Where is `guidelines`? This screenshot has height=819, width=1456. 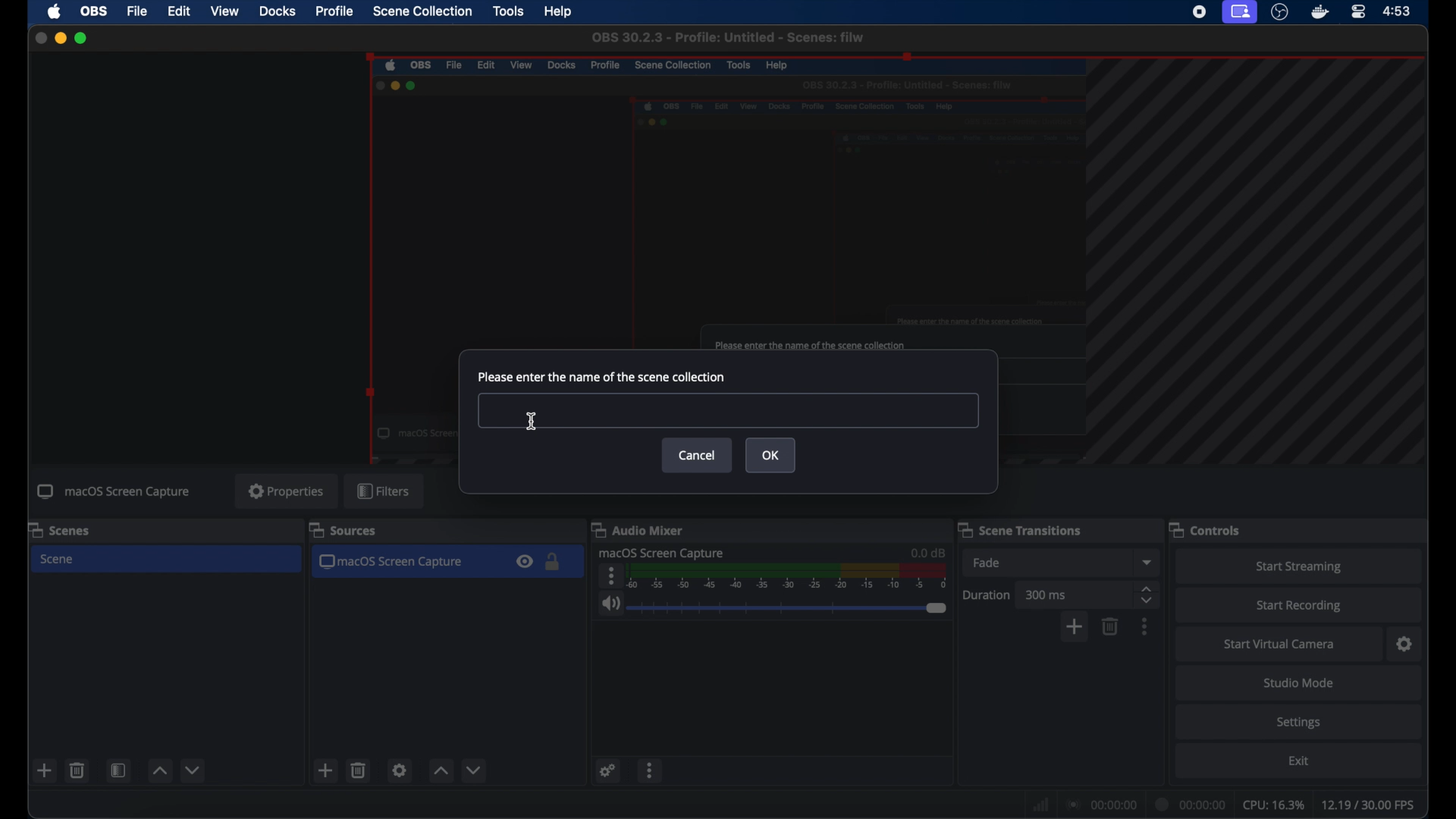 guidelines is located at coordinates (1262, 265).